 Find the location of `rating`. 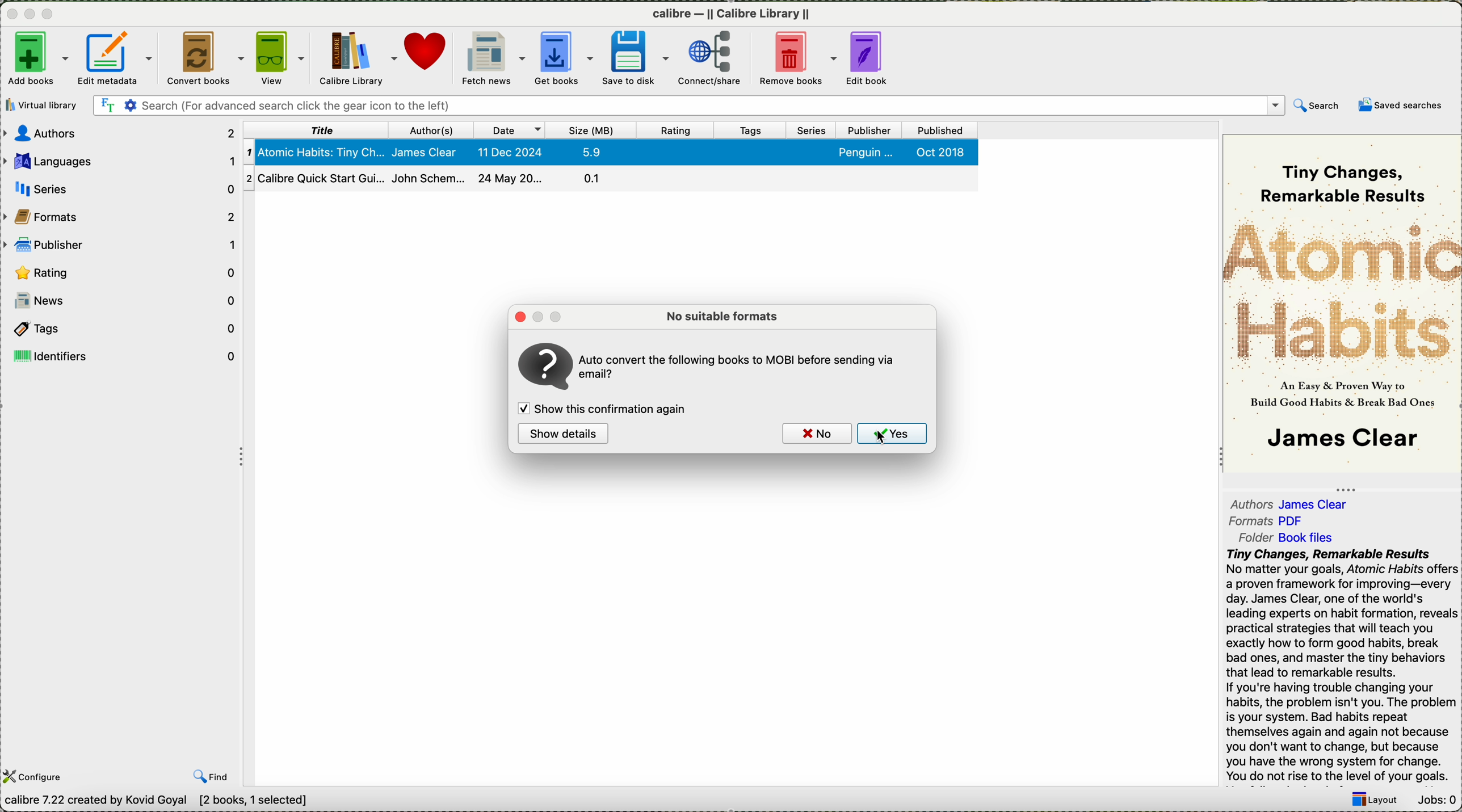

rating is located at coordinates (124, 272).